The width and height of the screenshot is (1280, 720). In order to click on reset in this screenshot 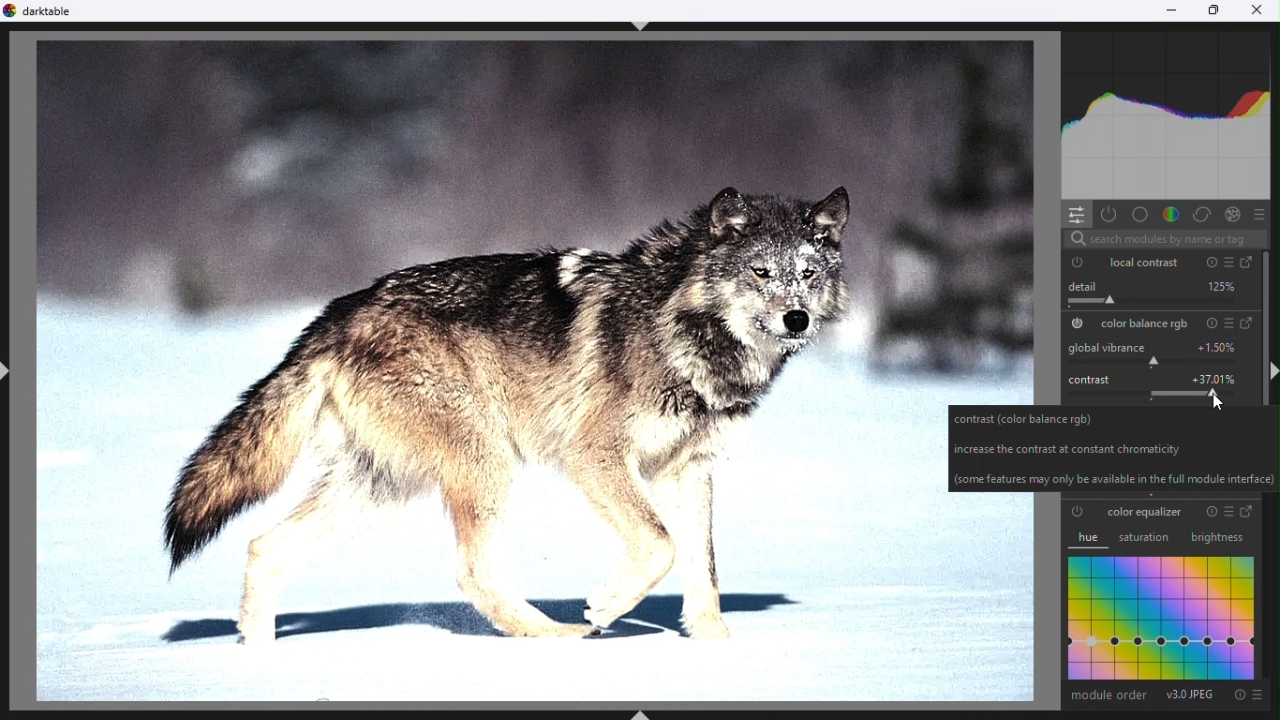, I will do `click(1210, 261)`.